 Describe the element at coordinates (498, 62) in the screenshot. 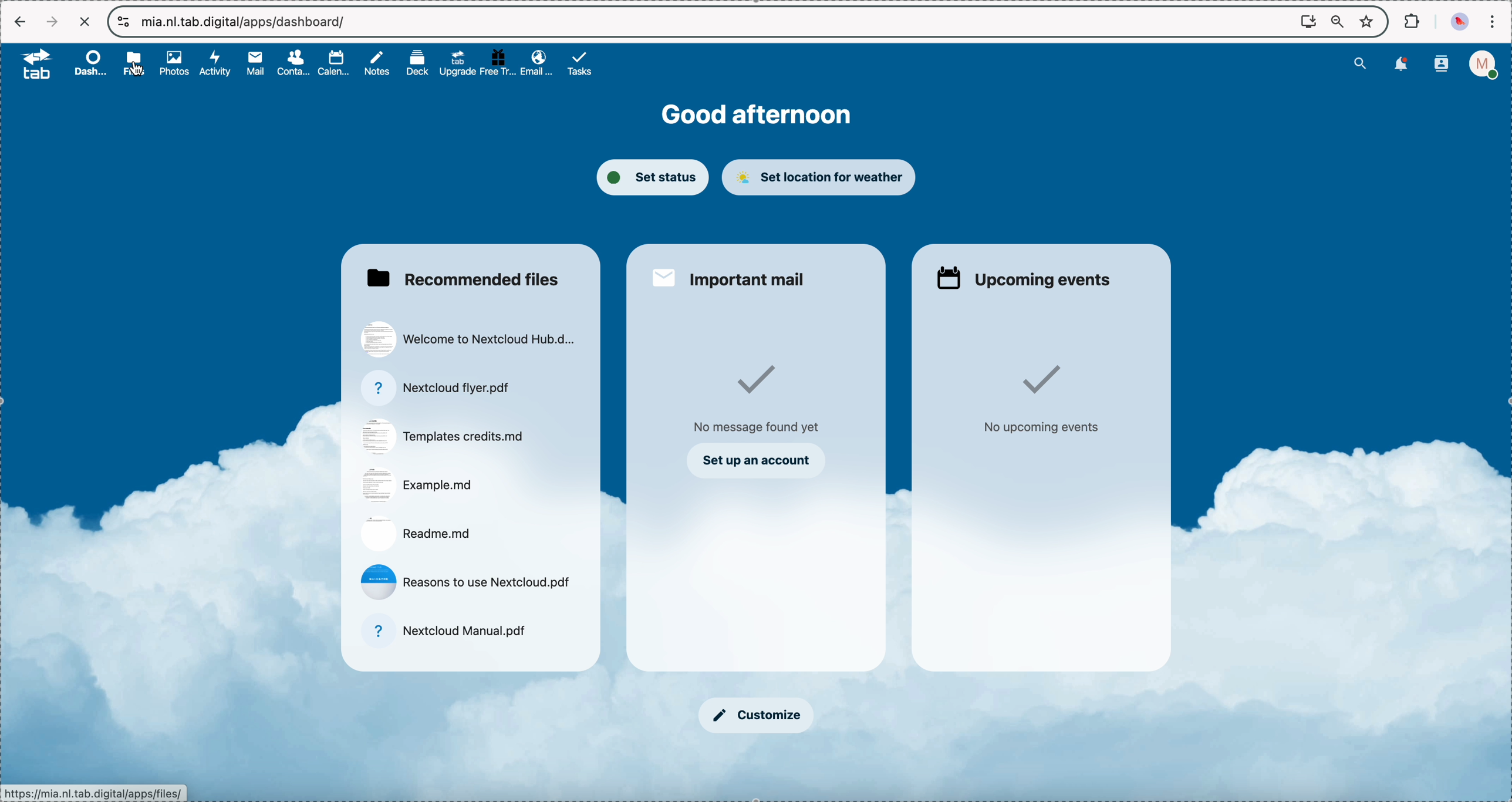

I see `free` at that location.